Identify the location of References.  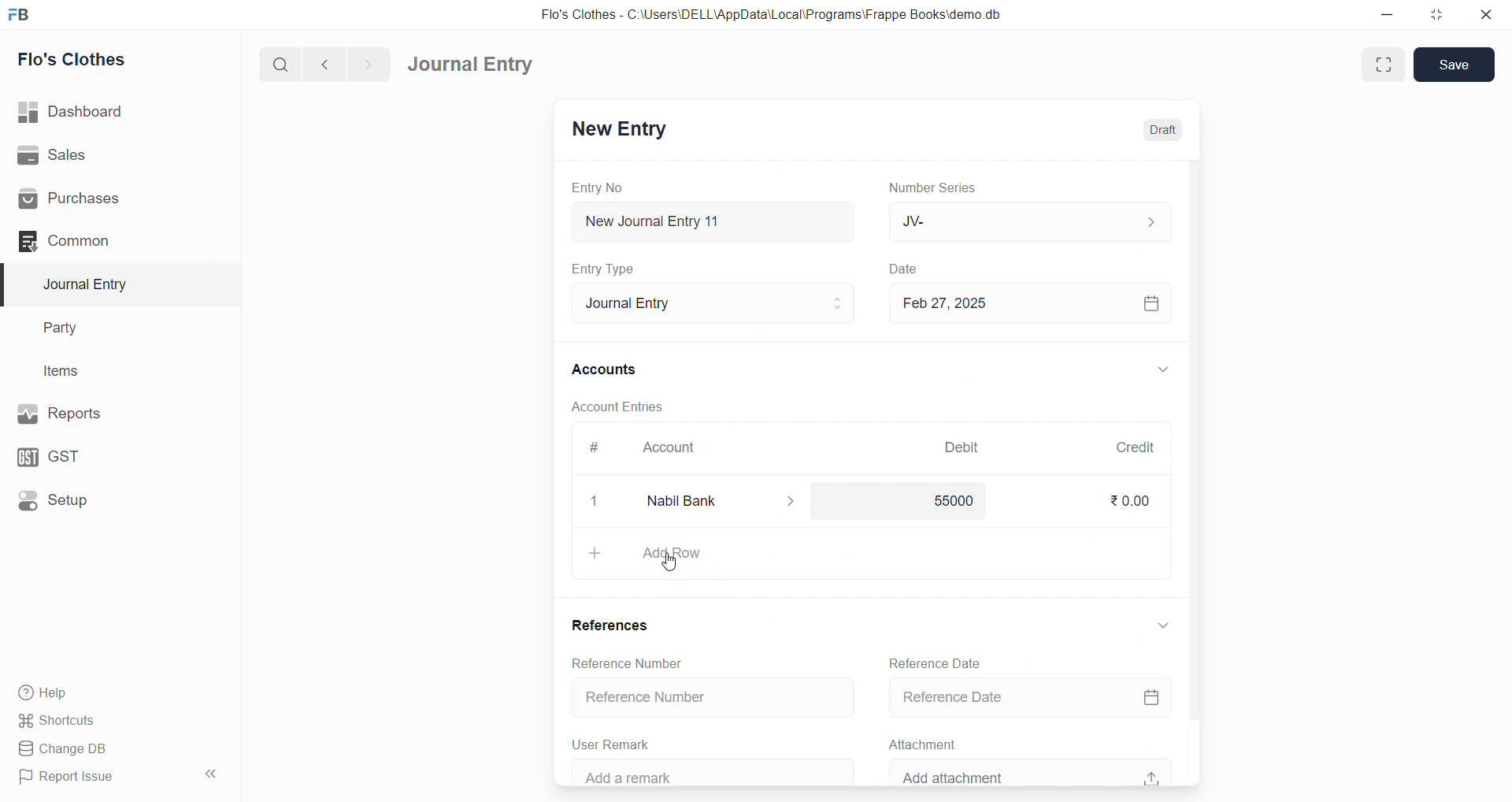
(611, 623).